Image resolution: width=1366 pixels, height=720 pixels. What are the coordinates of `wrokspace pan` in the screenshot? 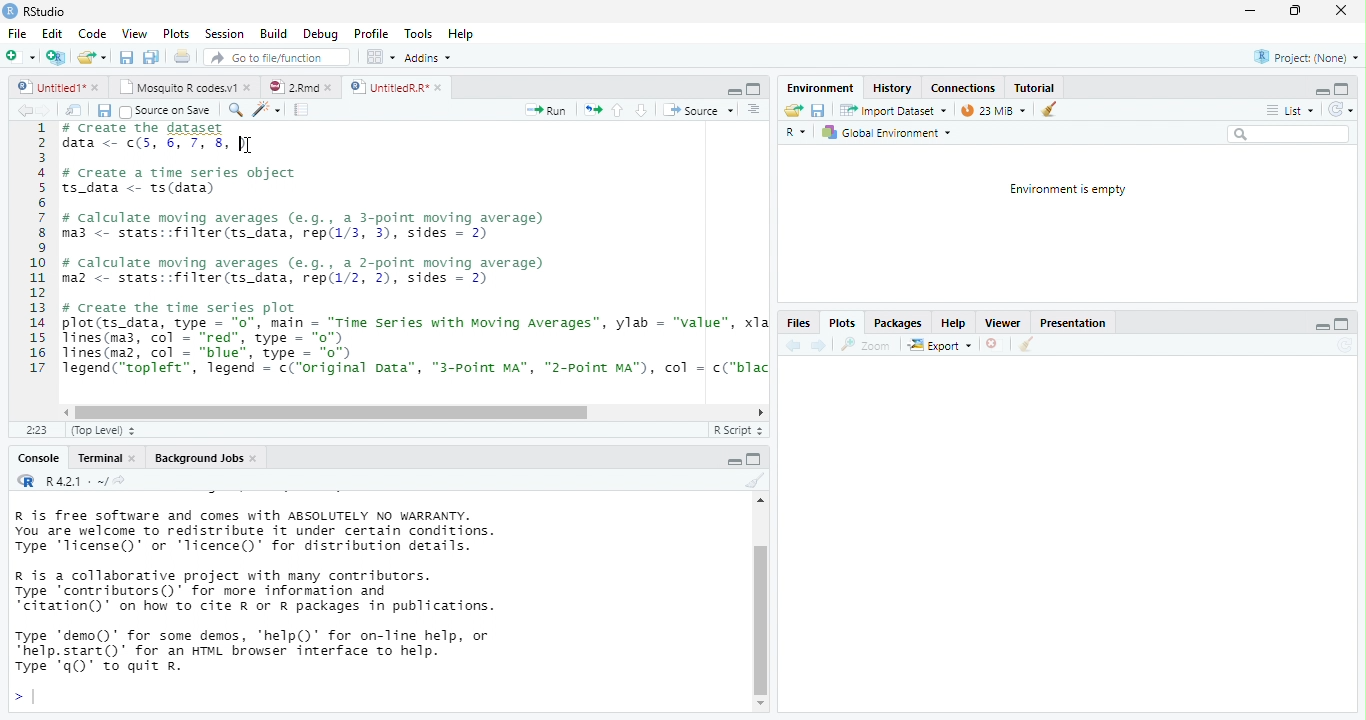 It's located at (379, 57).